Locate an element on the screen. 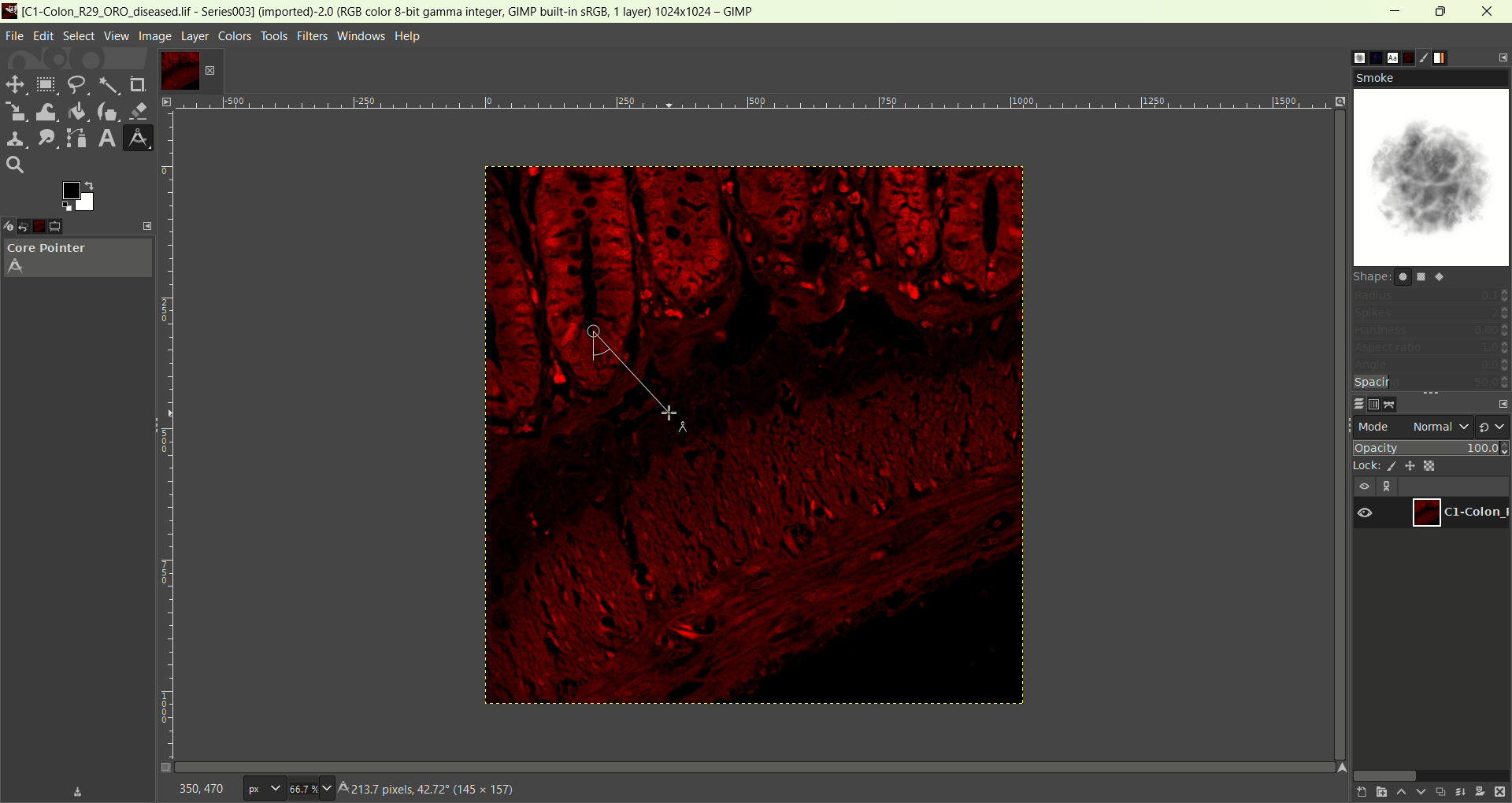 This screenshot has width=1512, height=803. switch to another group of mode is located at coordinates (1494, 426).